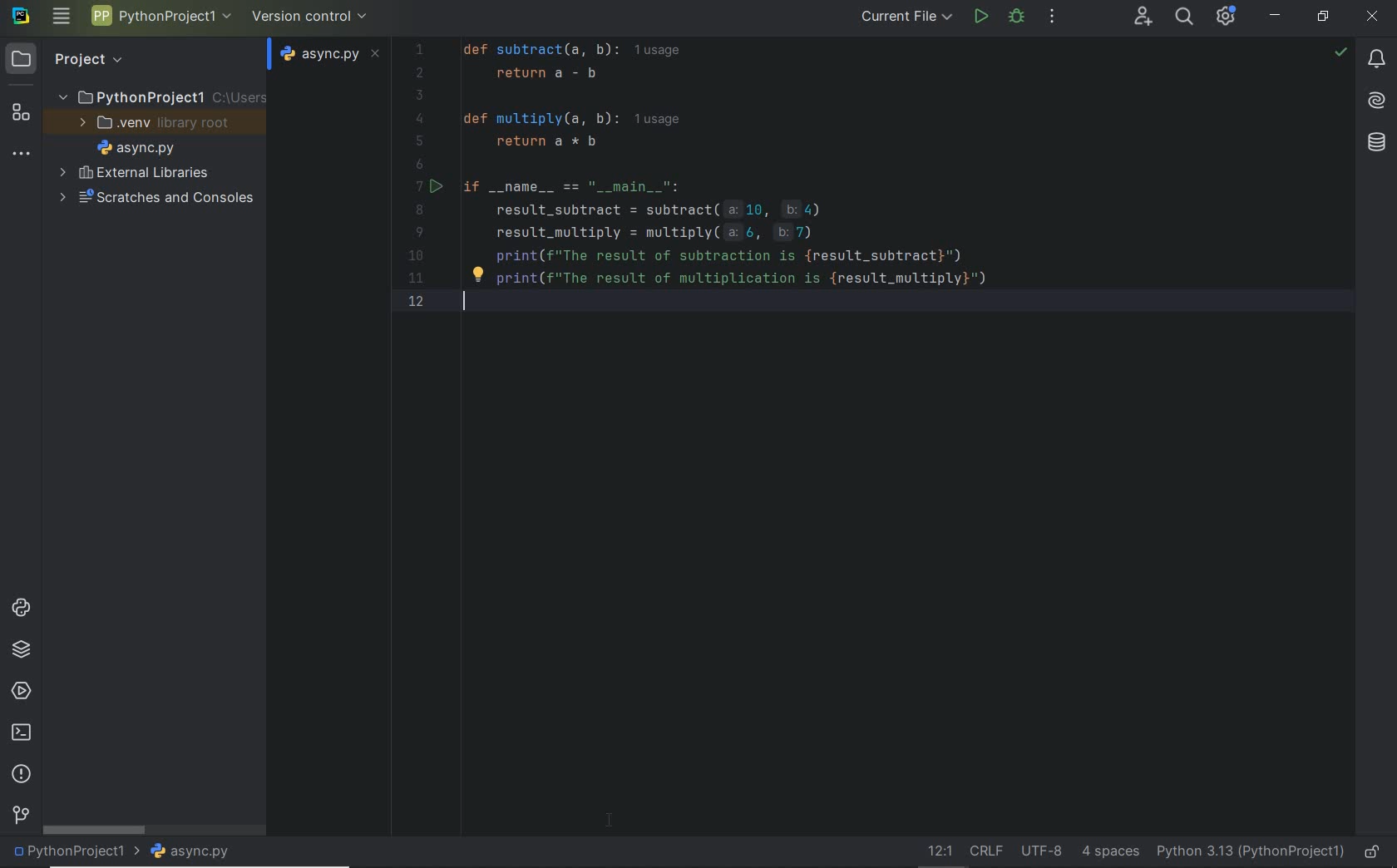 This screenshot has height=868, width=1397. What do you see at coordinates (987, 852) in the screenshot?
I see `line separator` at bounding box center [987, 852].